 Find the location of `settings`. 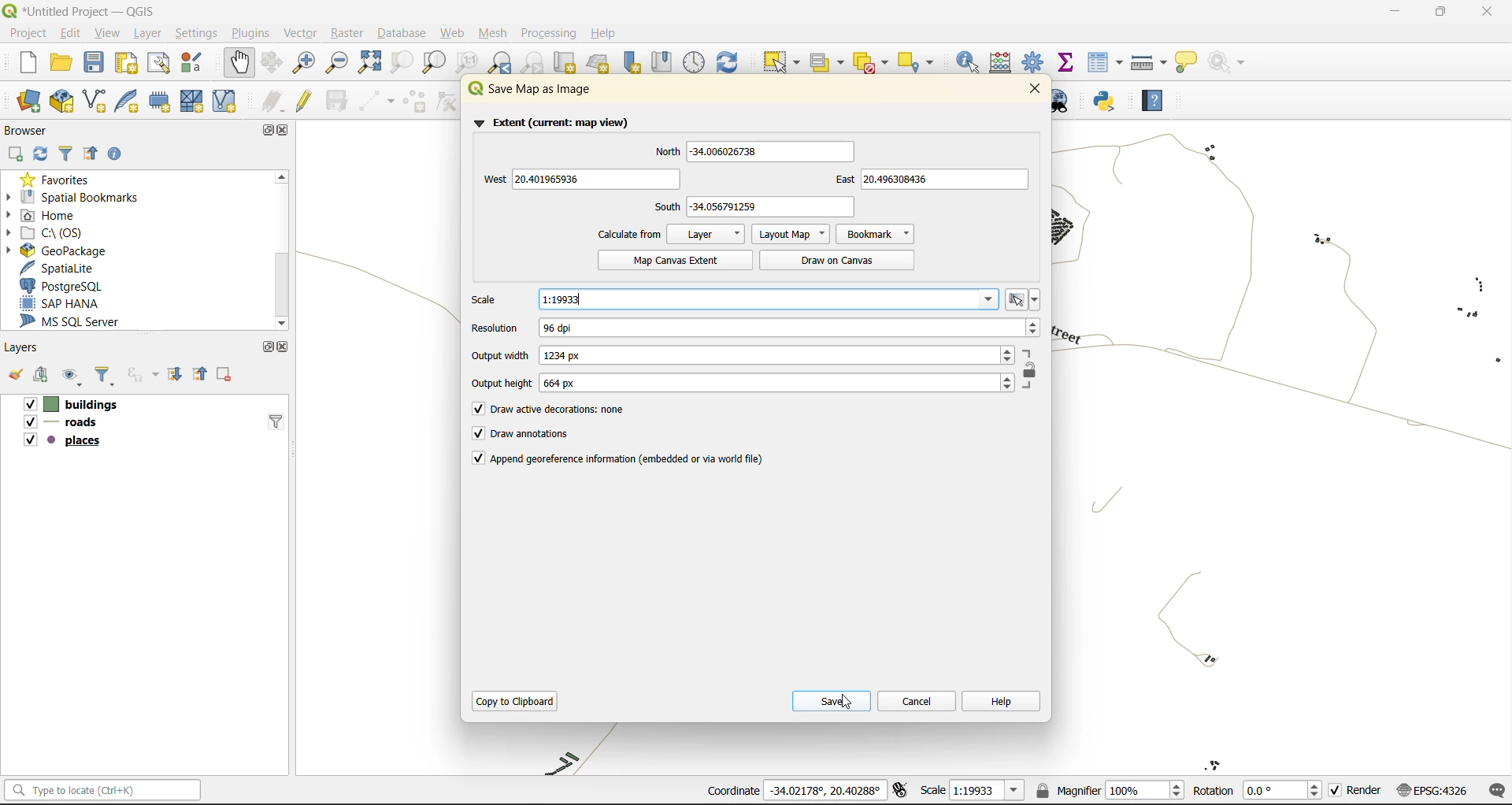

settings is located at coordinates (198, 34).